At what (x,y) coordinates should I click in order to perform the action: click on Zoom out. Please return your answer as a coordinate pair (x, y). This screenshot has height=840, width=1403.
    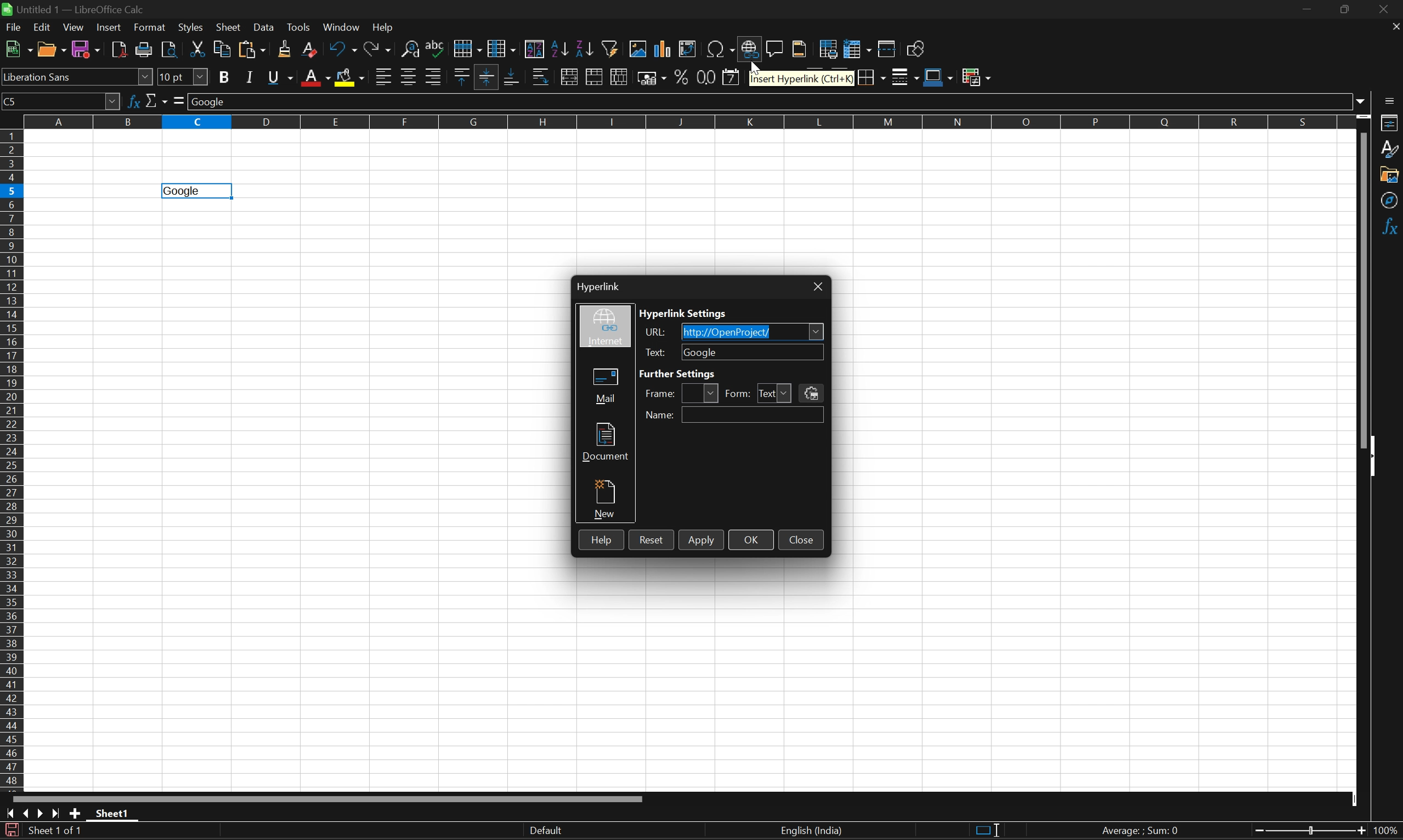
    Looking at the image, I should click on (1359, 832).